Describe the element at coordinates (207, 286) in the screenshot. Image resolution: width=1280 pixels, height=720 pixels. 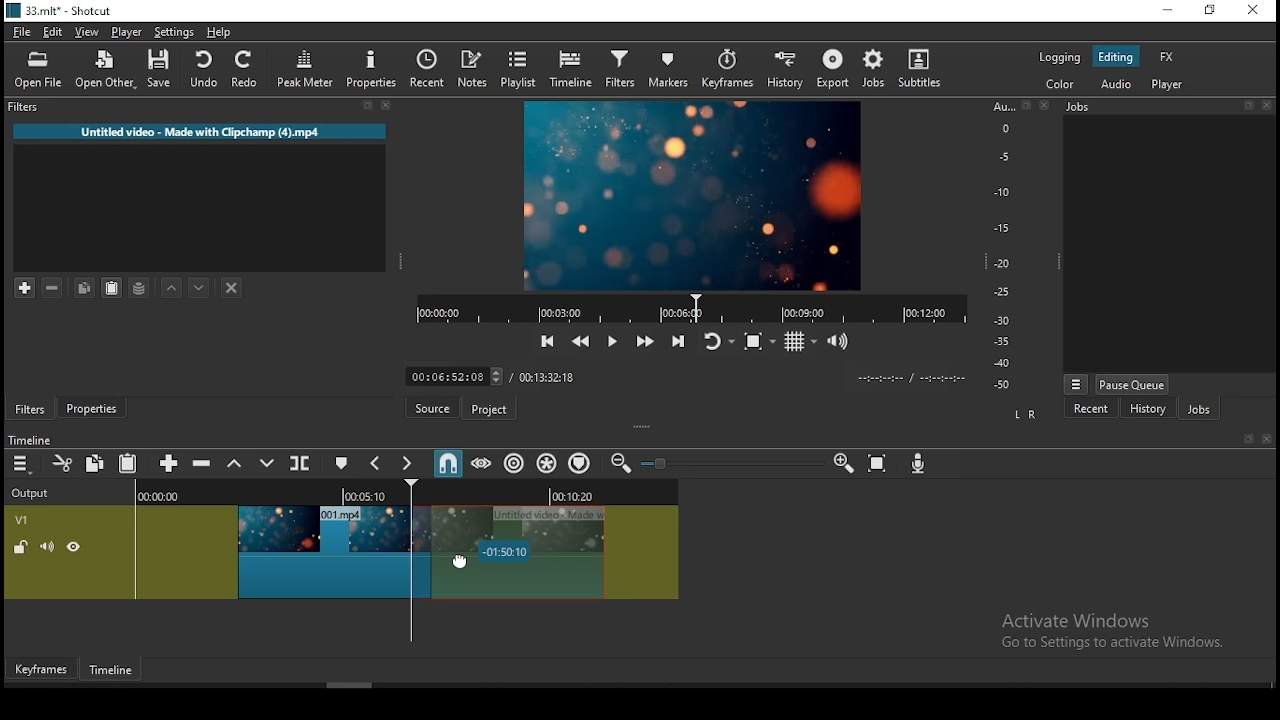
I see `move filter down` at that location.